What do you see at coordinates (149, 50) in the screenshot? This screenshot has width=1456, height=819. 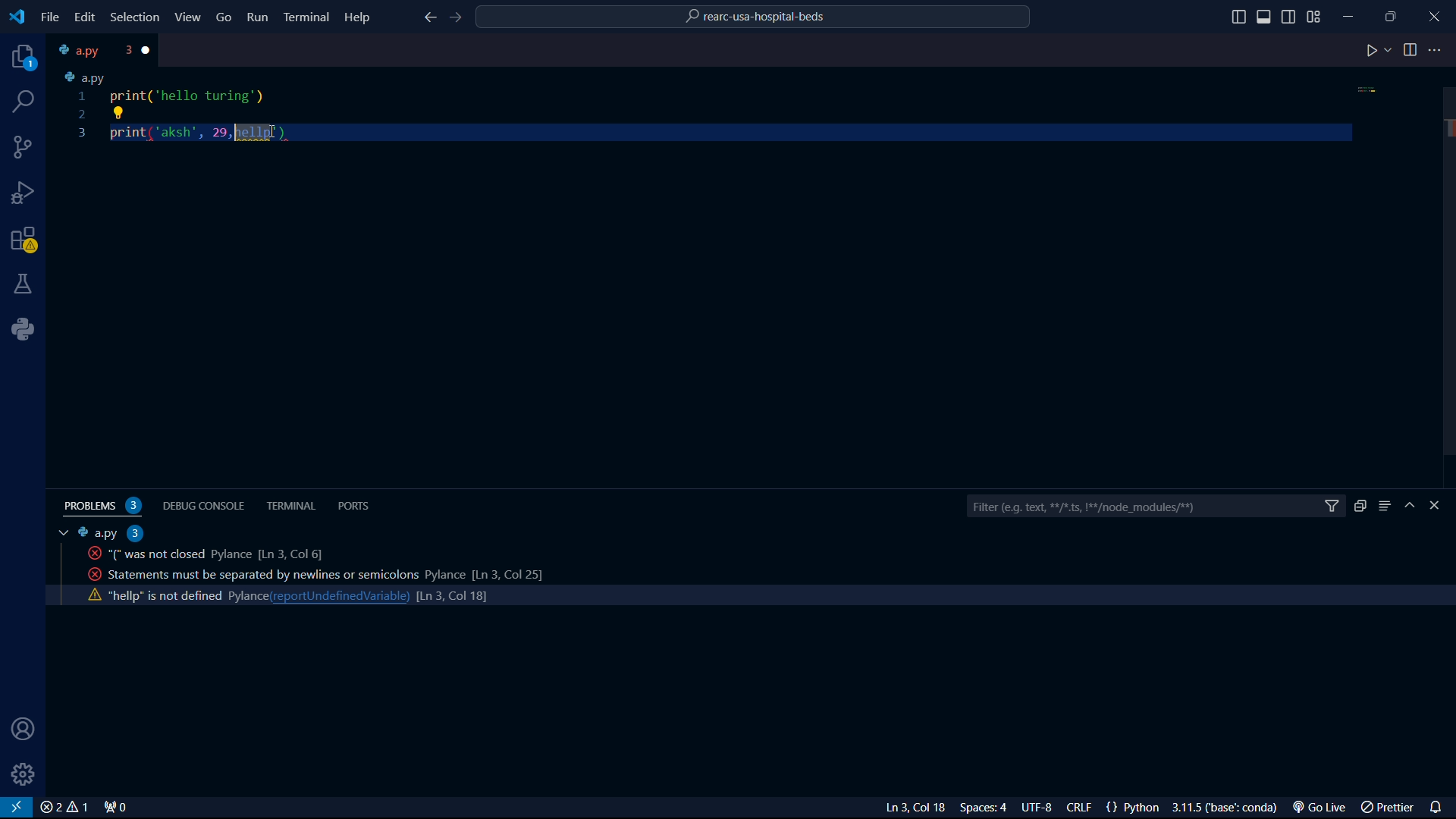 I see `close` at bounding box center [149, 50].